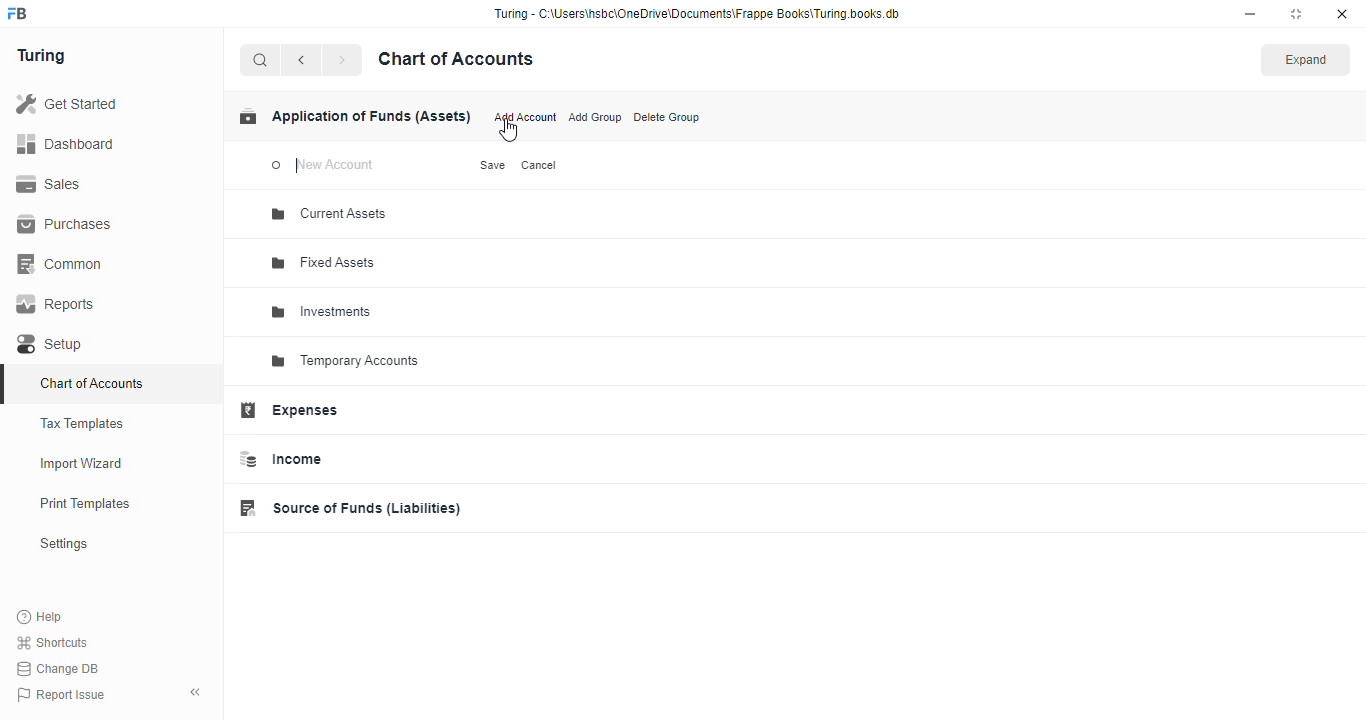 Image resolution: width=1366 pixels, height=720 pixels. I want to click on fixed assets, so click(326, 263).